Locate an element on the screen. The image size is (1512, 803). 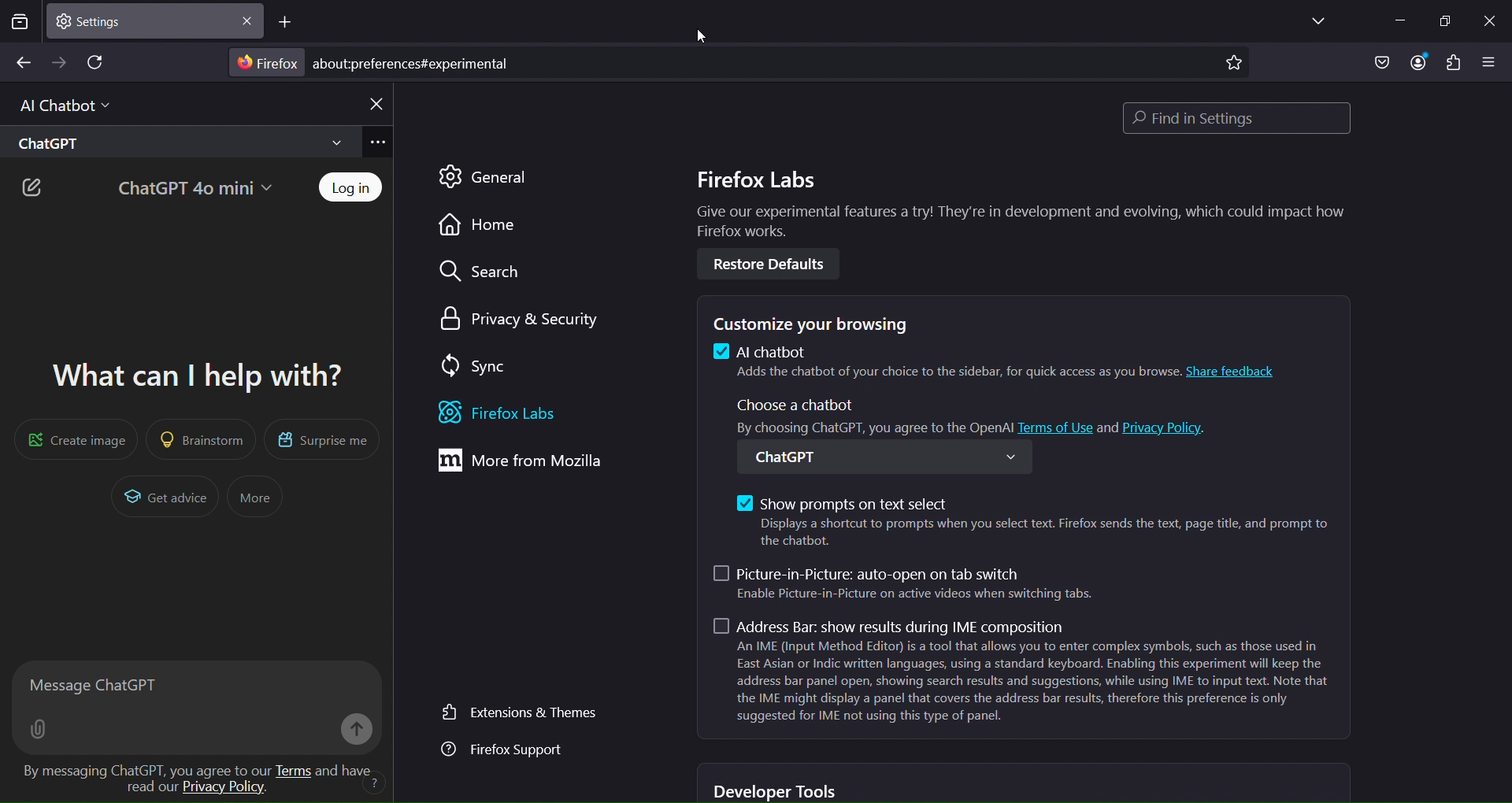
4 show prompts on text select
Displays a shortcut to prompts when you select text. Firefox sends the text, page title, and prompt to
the chatbot. is located at coordinates (1028, 520).